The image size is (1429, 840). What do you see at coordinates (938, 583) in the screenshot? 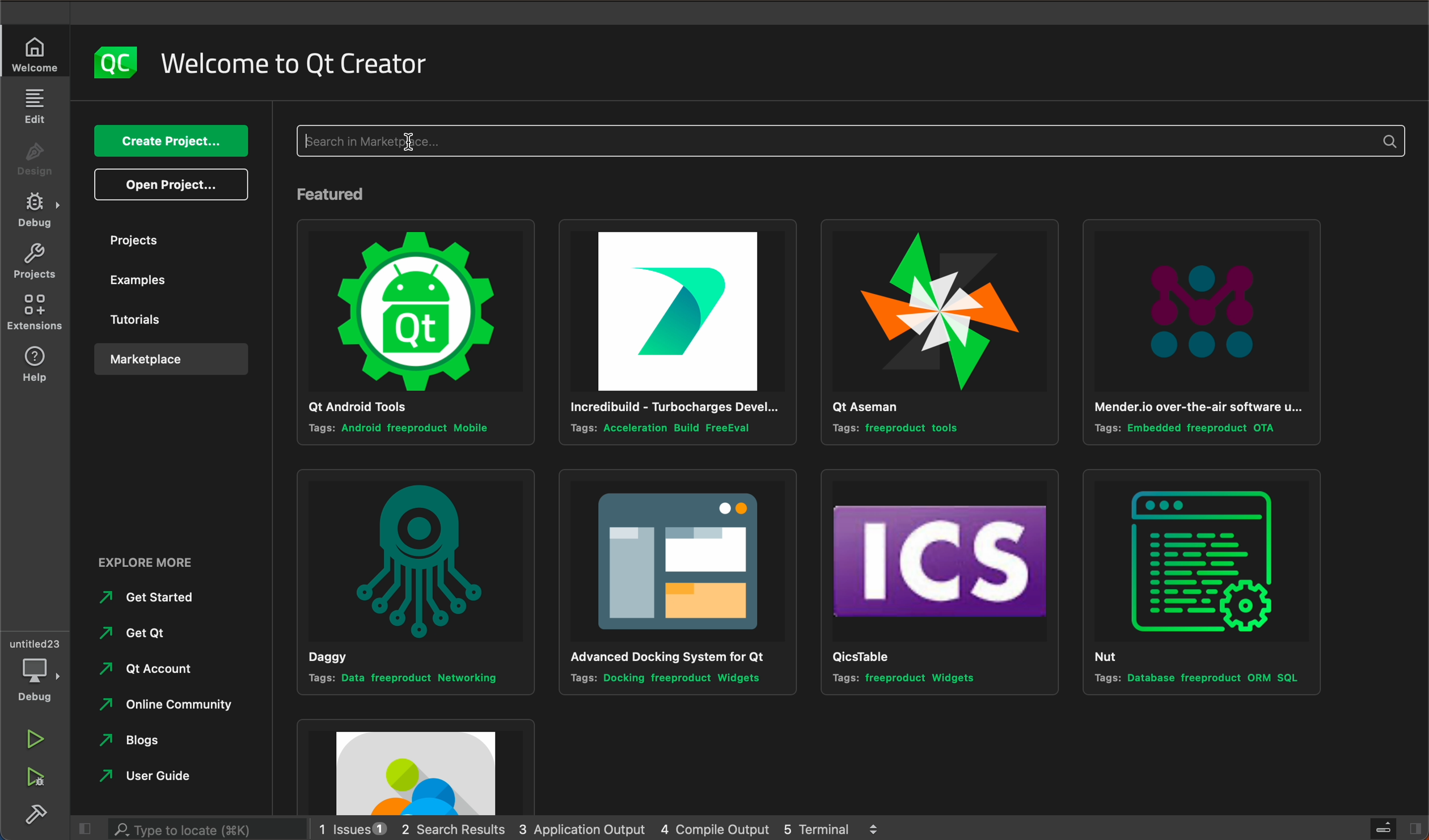
I see `` at bounding box center [938, 583].